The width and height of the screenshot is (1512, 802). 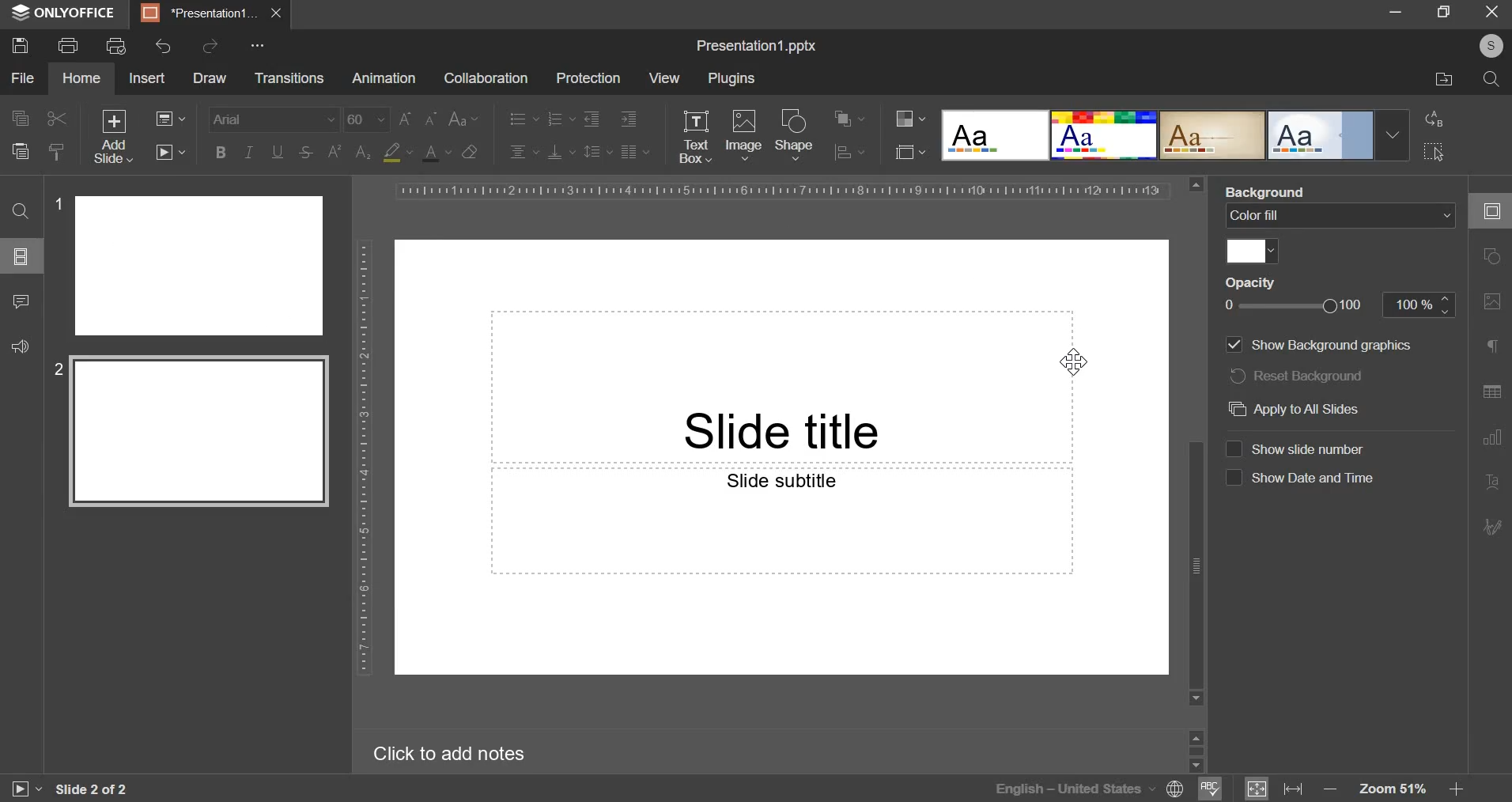 What do you see at coordinates (464, 117) in the screenshot?
I see `change case` at bounding box center [464, 117].